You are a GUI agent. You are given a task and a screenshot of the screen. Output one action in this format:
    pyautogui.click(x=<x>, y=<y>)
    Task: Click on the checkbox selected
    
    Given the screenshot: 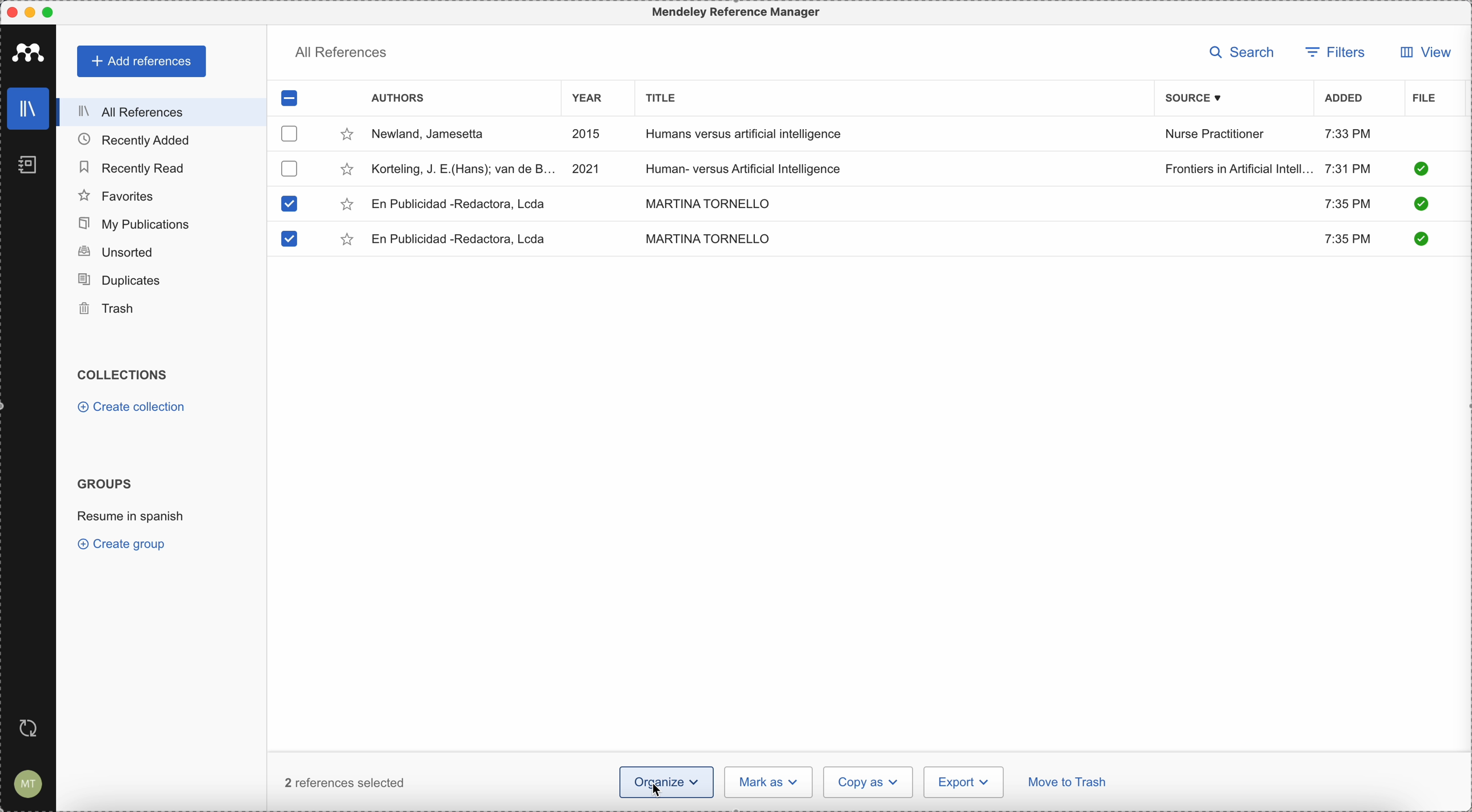 What is the action you would take?
    pyautogui.click(x=290, y=97)
    